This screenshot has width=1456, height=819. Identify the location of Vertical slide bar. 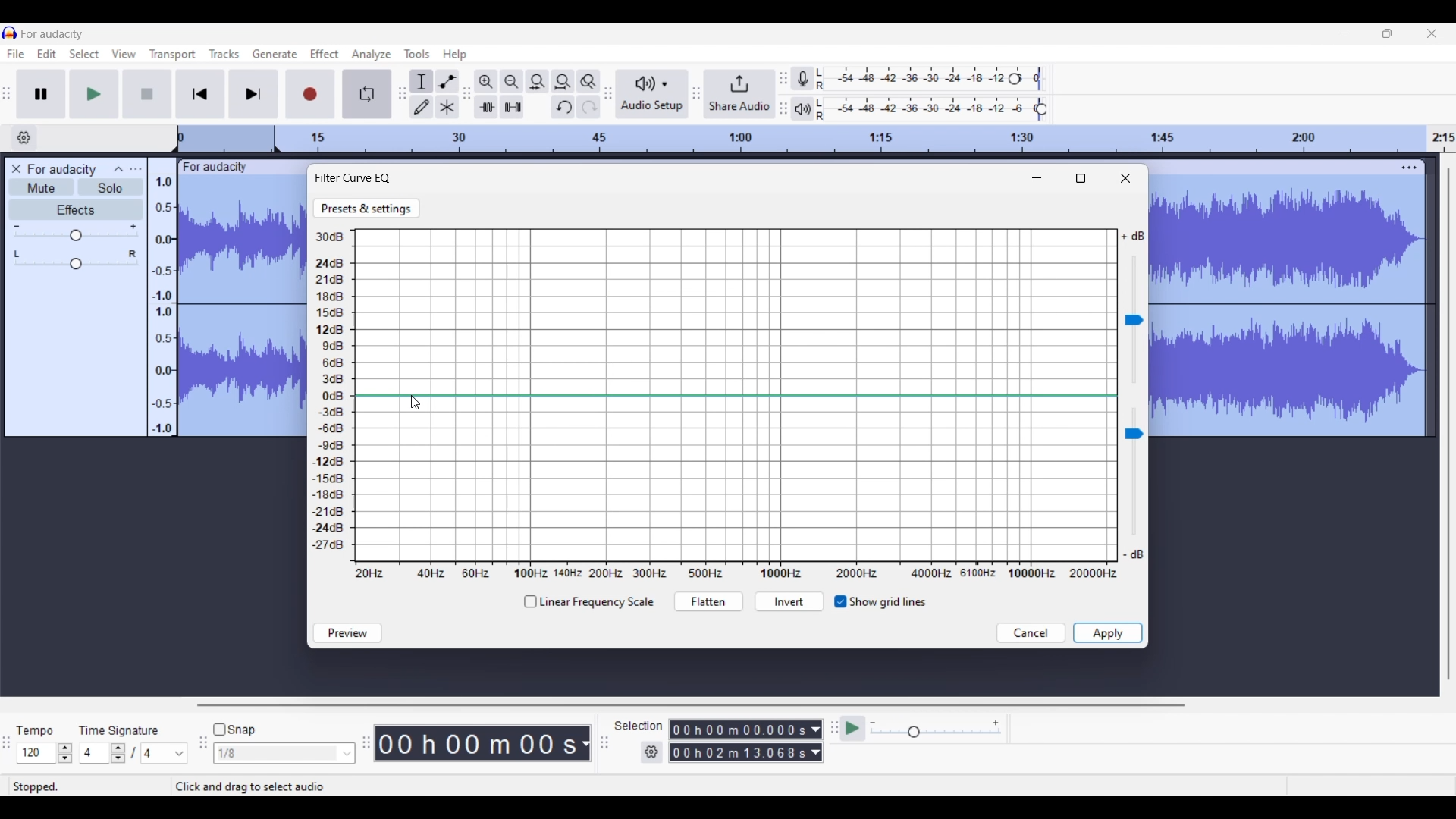
(1448, 423).